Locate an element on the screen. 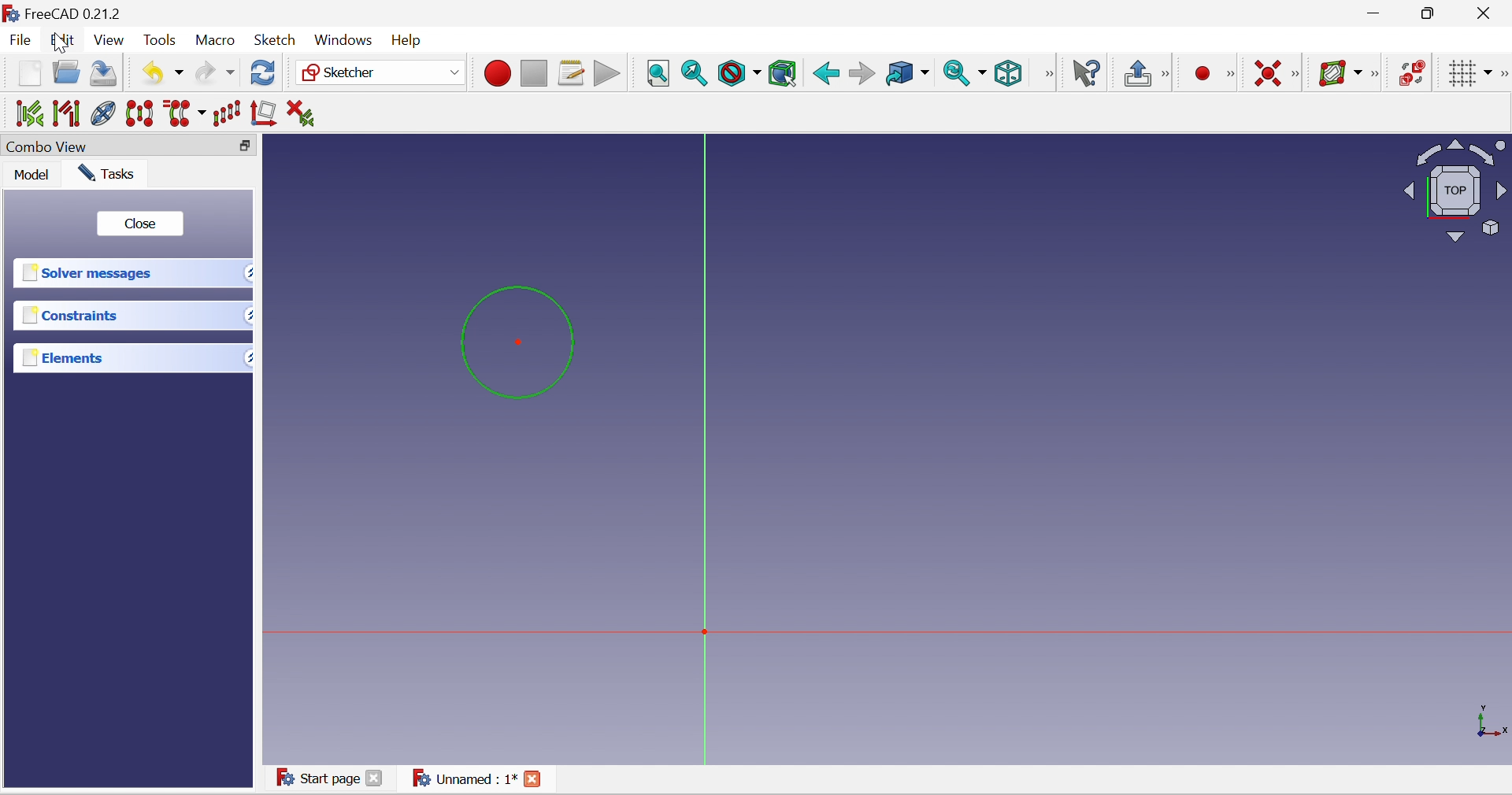 The height and width of the screenshot is (795, 1512). Combo view is located at coordinates (48, 146).